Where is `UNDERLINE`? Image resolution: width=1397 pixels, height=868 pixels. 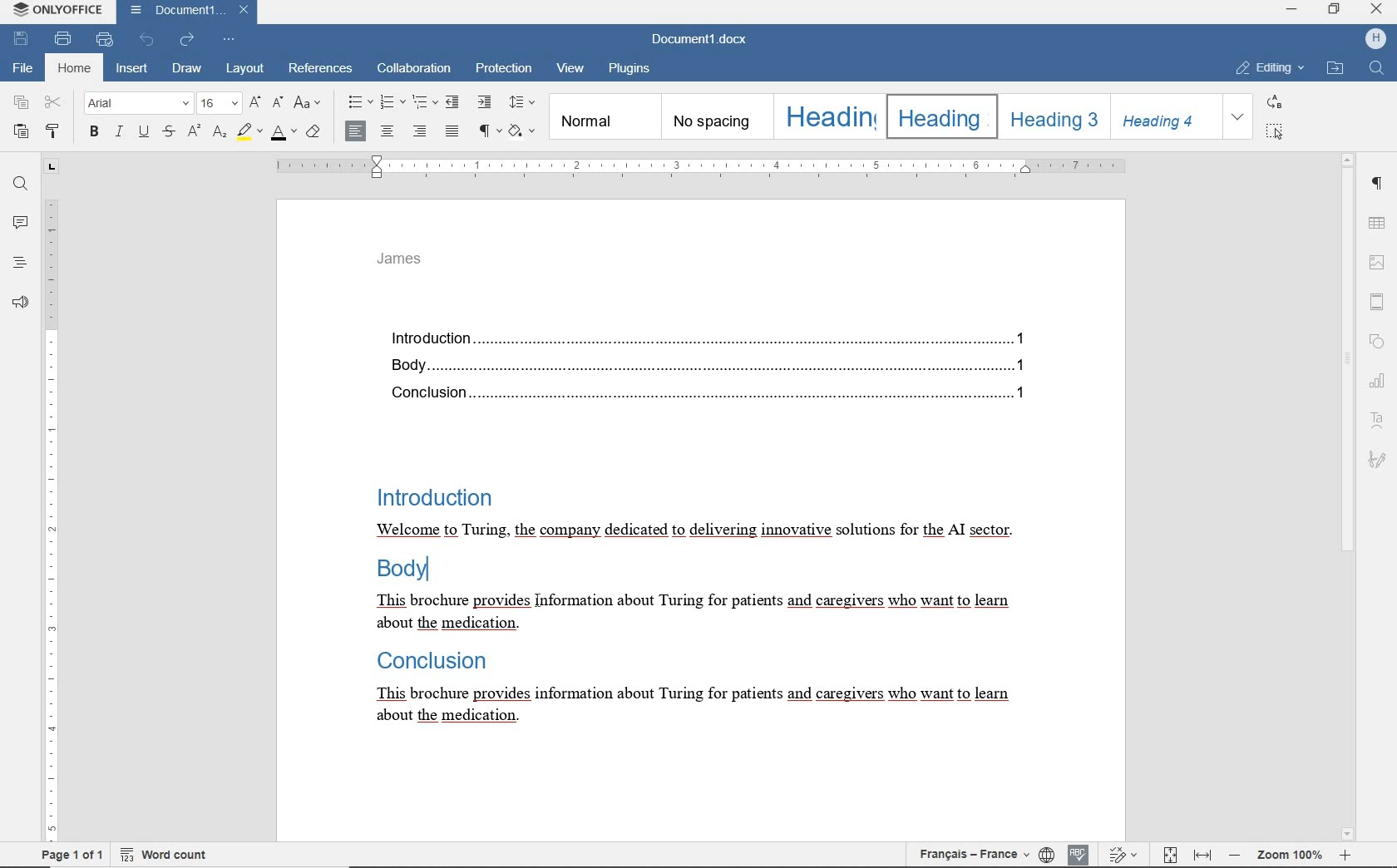 UNDERLINE is located at coordinates (143, 133).